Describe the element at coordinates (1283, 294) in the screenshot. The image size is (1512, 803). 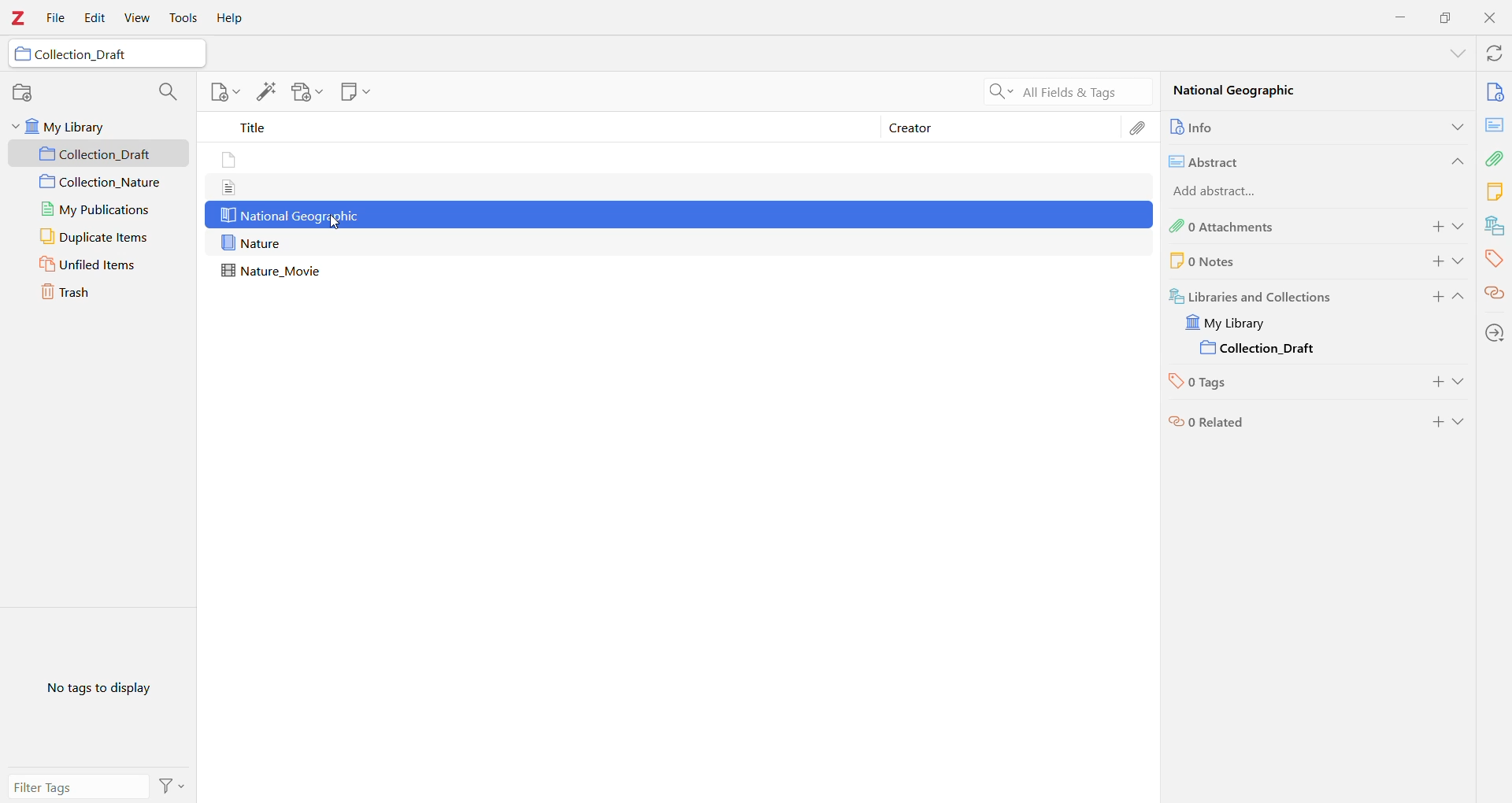
I see `Libraries and Collections` at that location.